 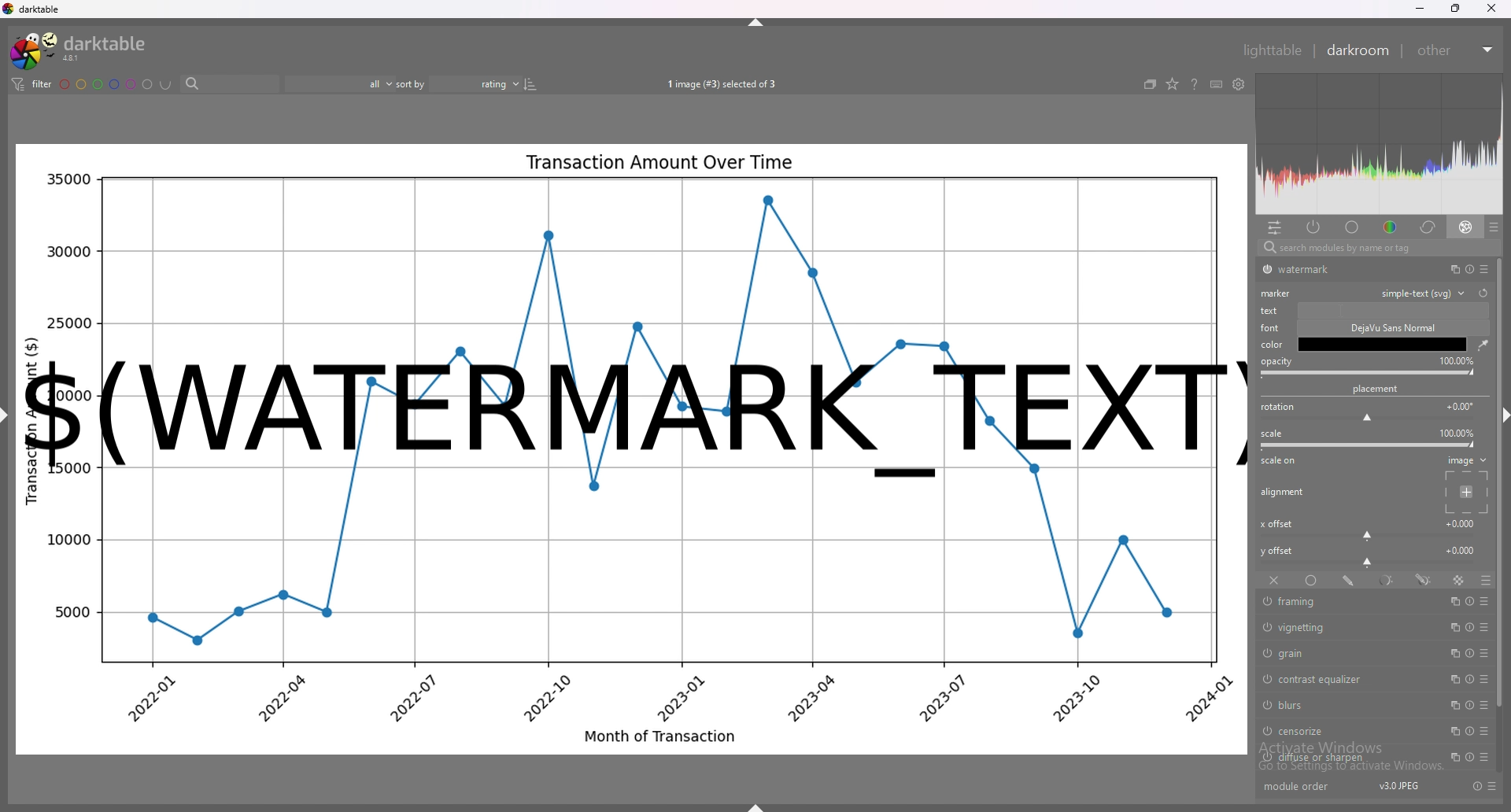 What do you see at coordinates (1483, 293) in the screenshot?
I see `reset` at bounding box center [1483, 293].